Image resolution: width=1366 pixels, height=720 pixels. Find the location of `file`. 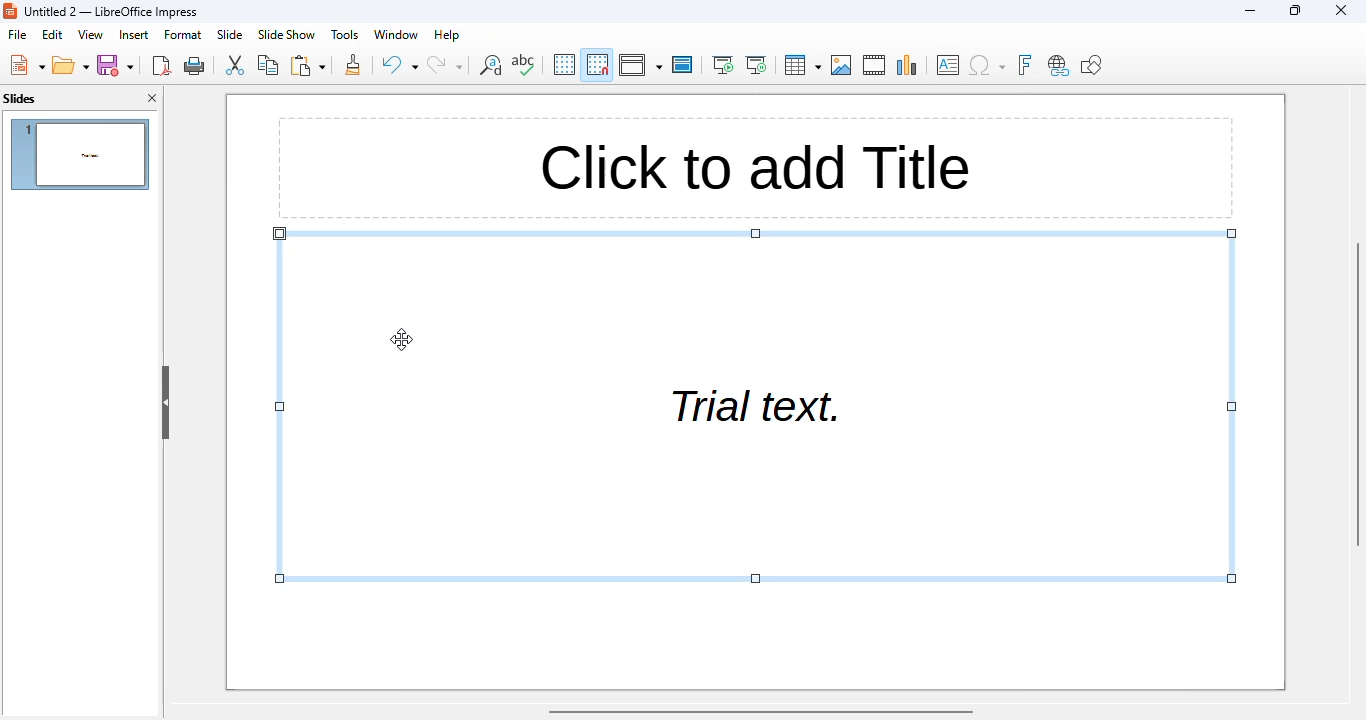

file is located at coordinates (17, 34).